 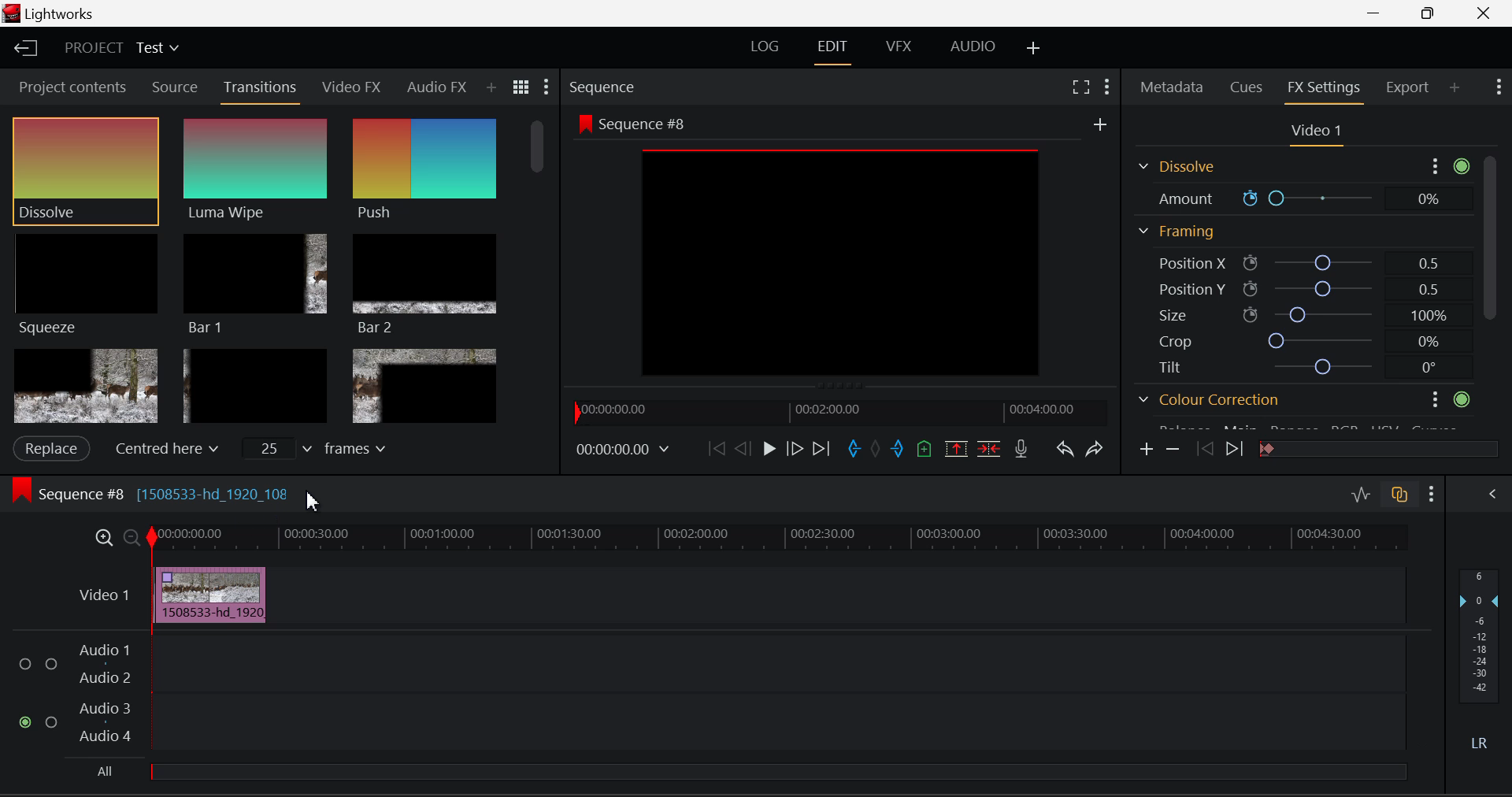 What do you see at coordinates (472, 87) in the screenshot?
I see `Add Panel` at bounding box center [472, 87].